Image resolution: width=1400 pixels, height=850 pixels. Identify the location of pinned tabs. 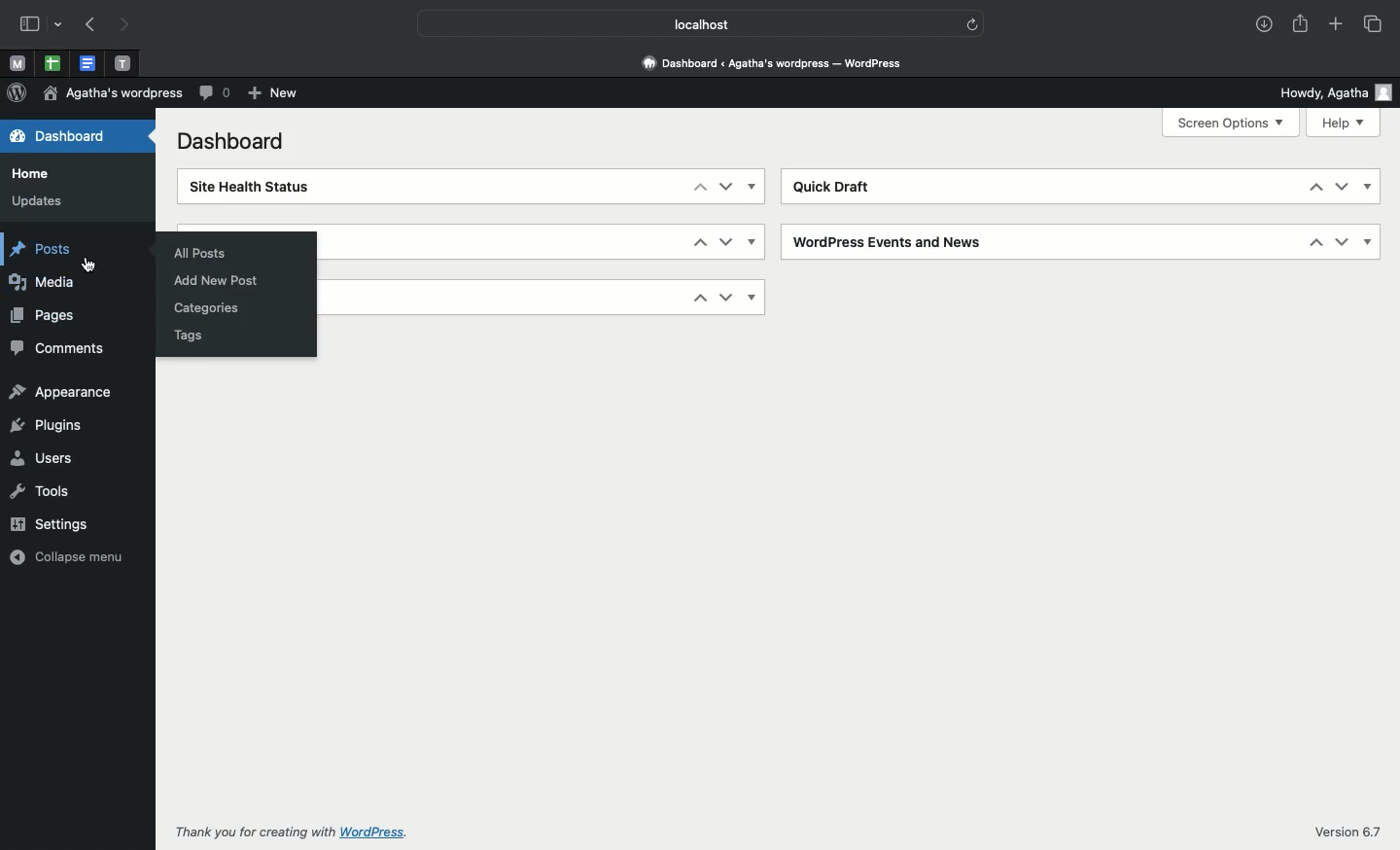
(126, 64).